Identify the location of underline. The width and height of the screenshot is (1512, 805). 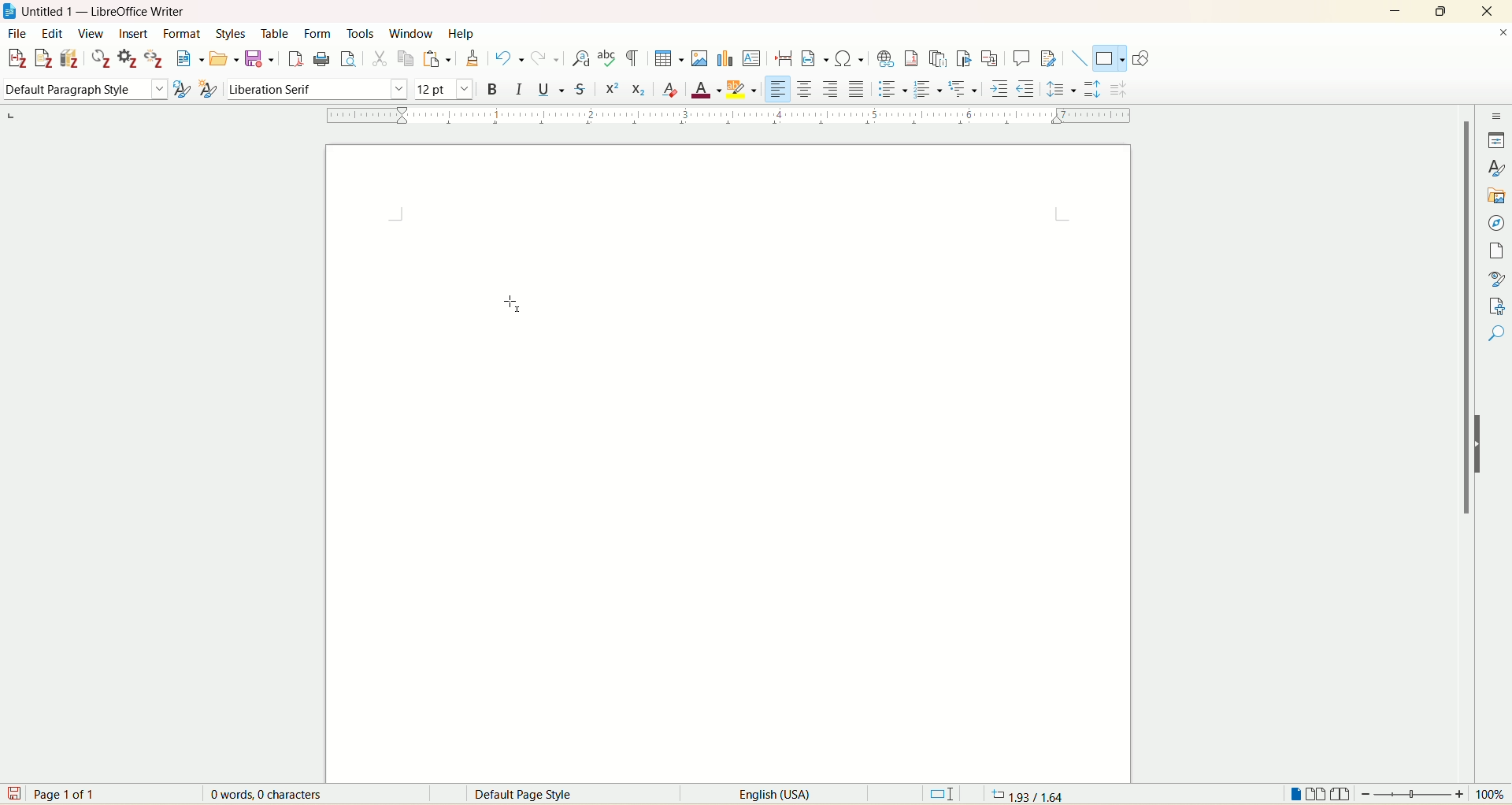
(549, 87).